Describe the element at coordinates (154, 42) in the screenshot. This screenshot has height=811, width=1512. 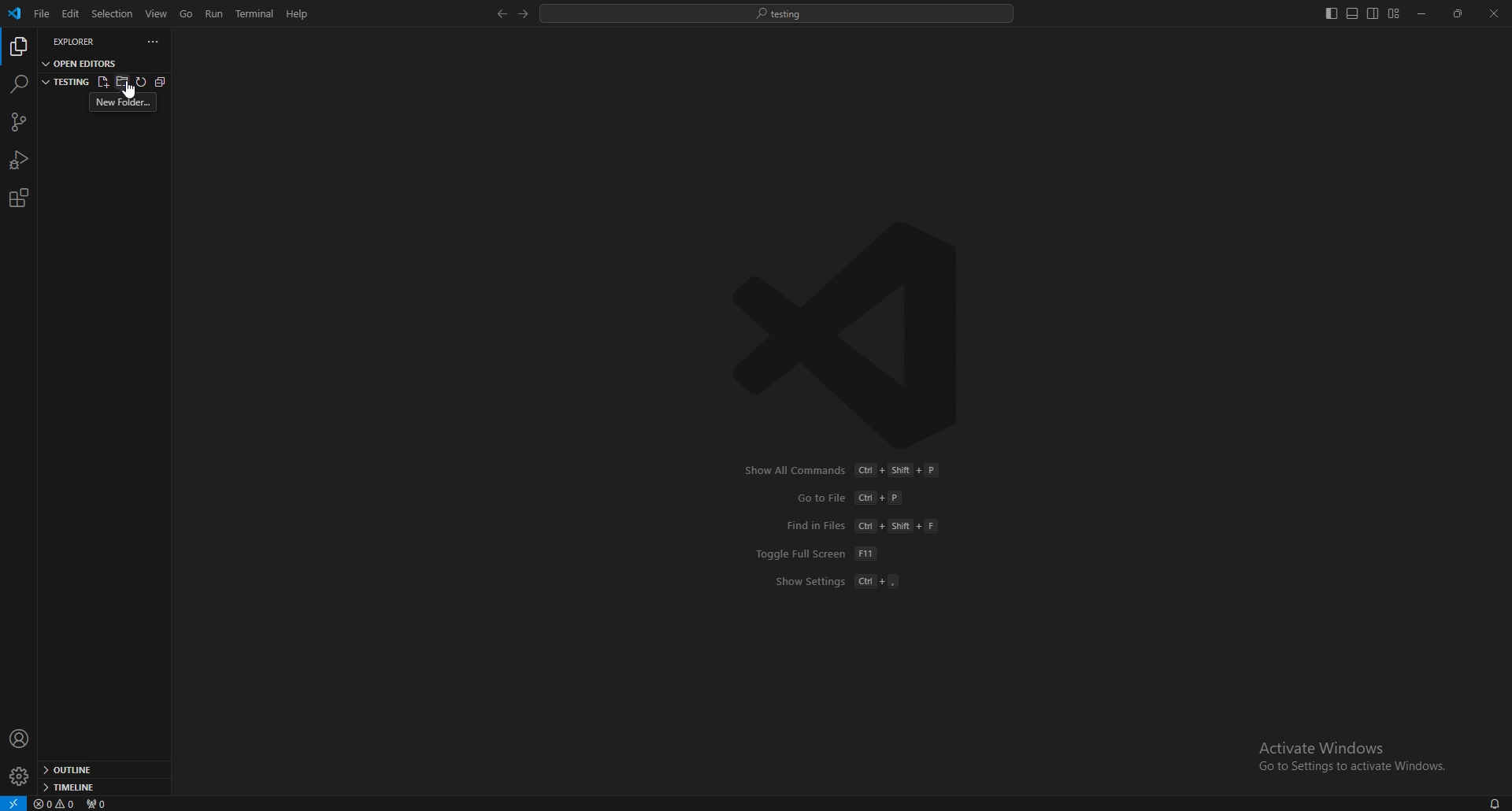
I see `options` at that location.